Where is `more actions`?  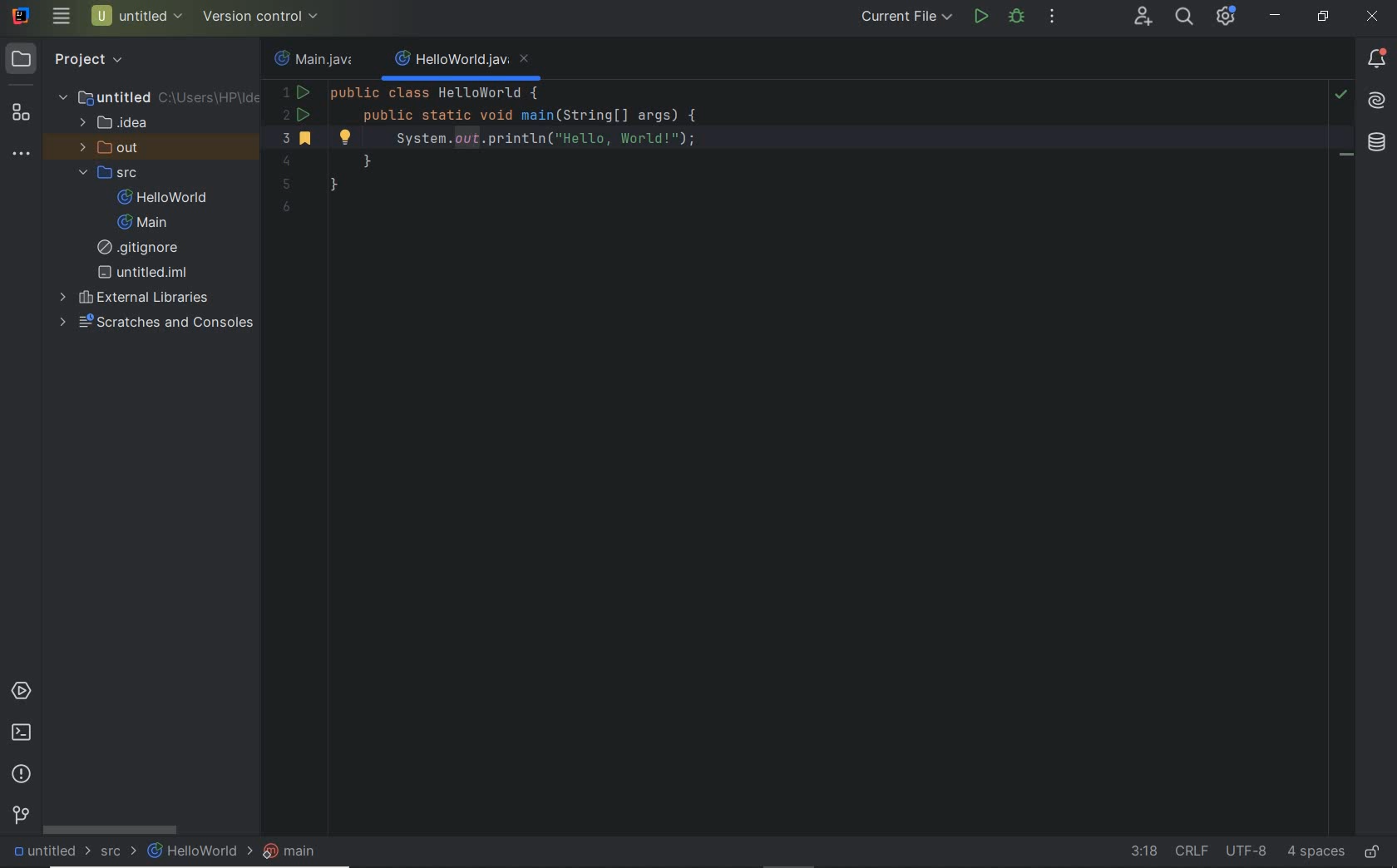
more actions is located at coordinates (1053, 17).